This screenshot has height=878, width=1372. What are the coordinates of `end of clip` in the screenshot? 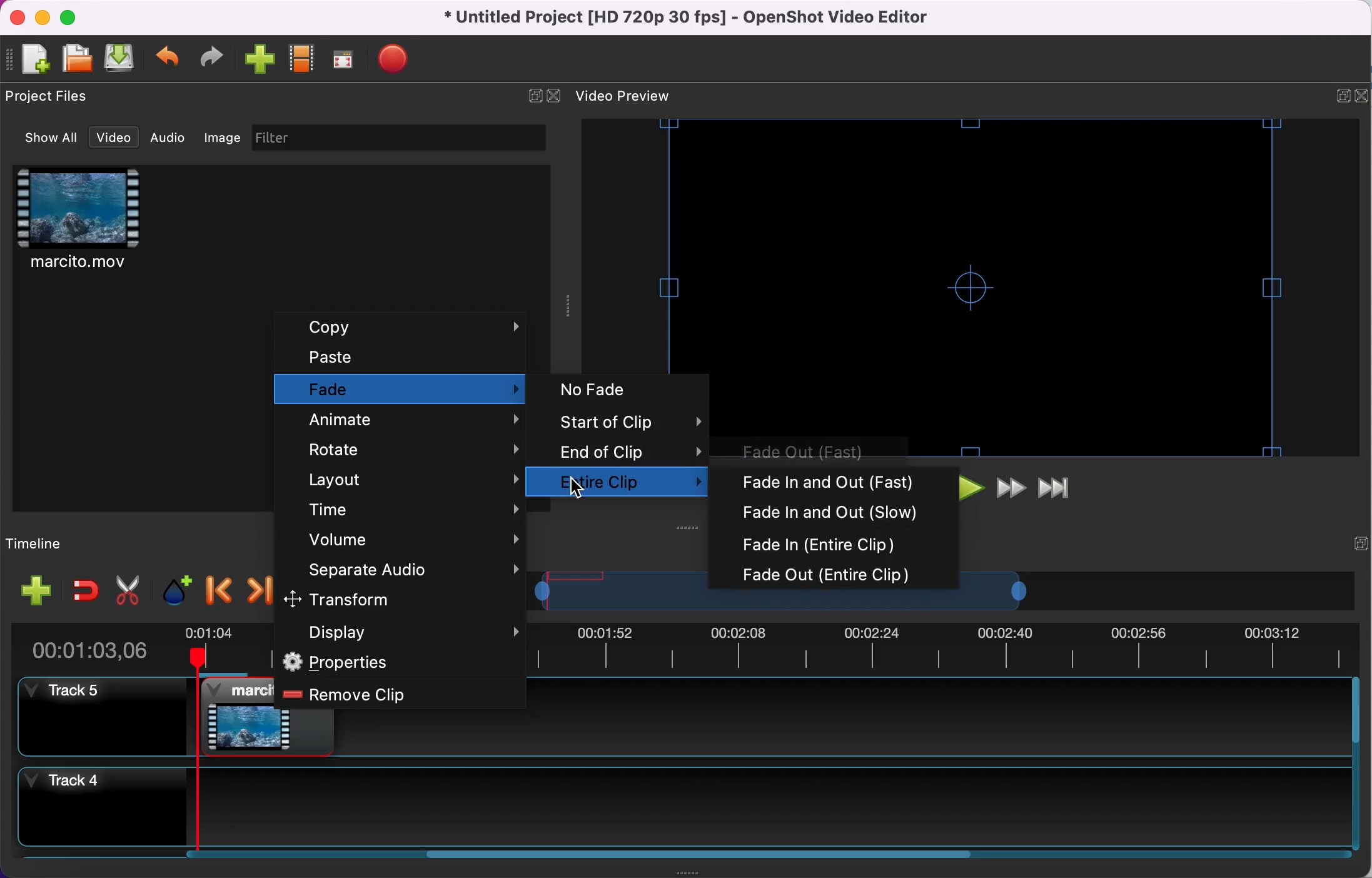 It's located at (630, 449).